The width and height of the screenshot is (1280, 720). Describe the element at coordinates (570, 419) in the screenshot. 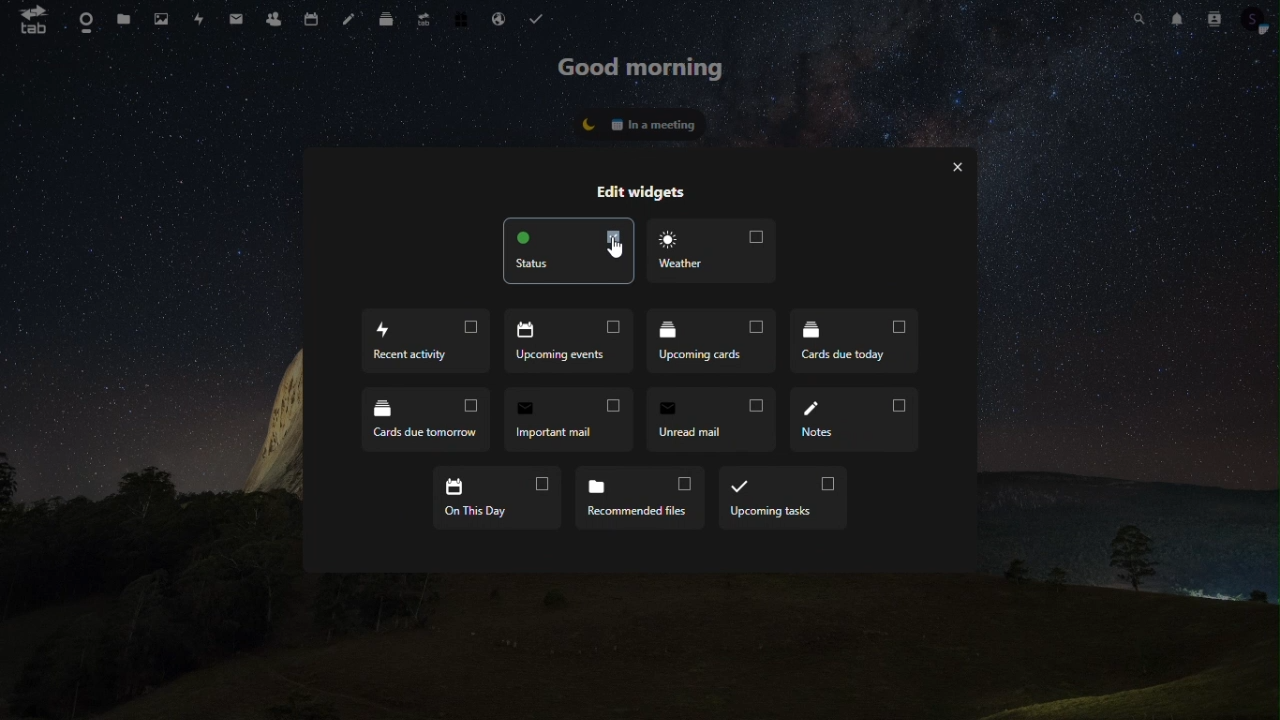

I see `important mail` at that location.